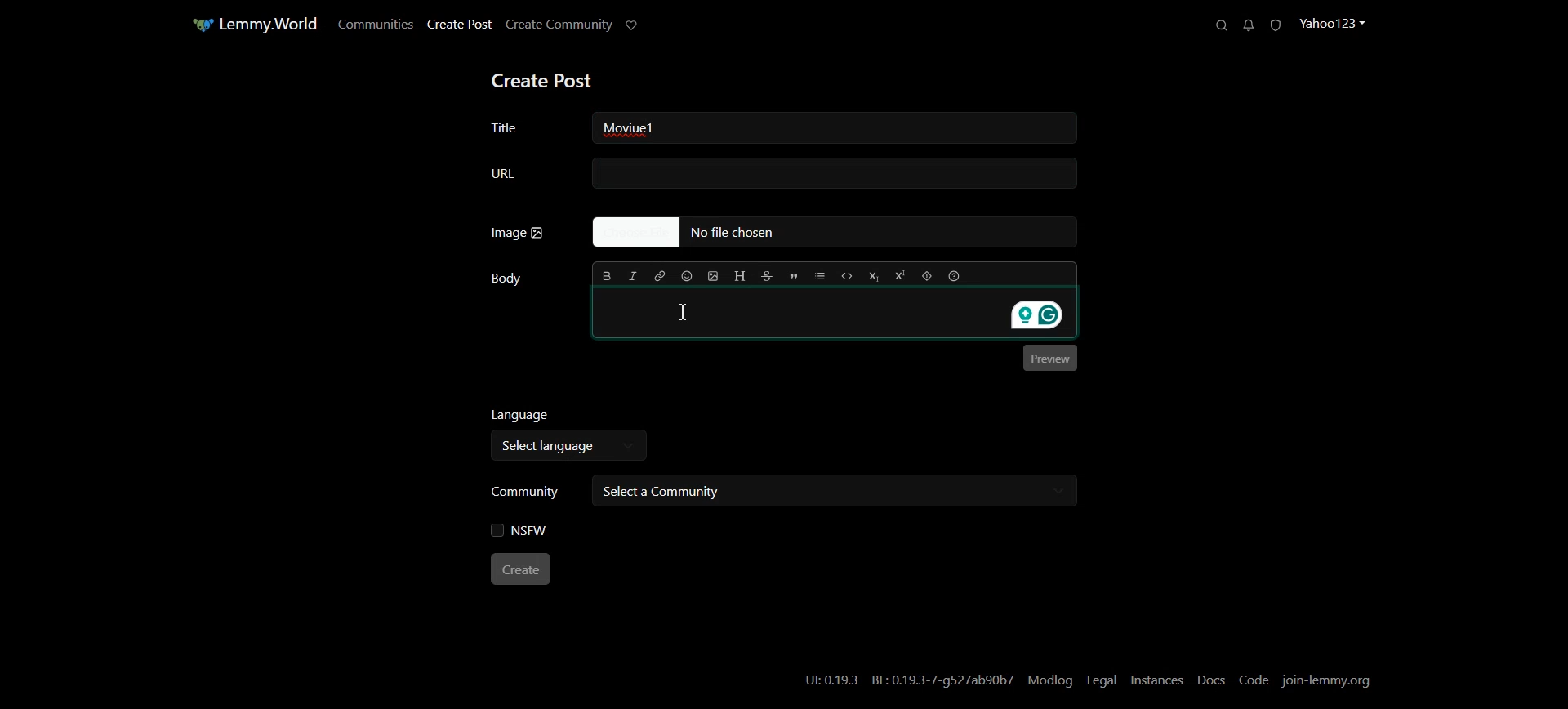 This screenshot has width=1568, height=709. What do you see at coordinates (819, 276) in the screenshot?
I see `List` at bounding box center [819, 276].